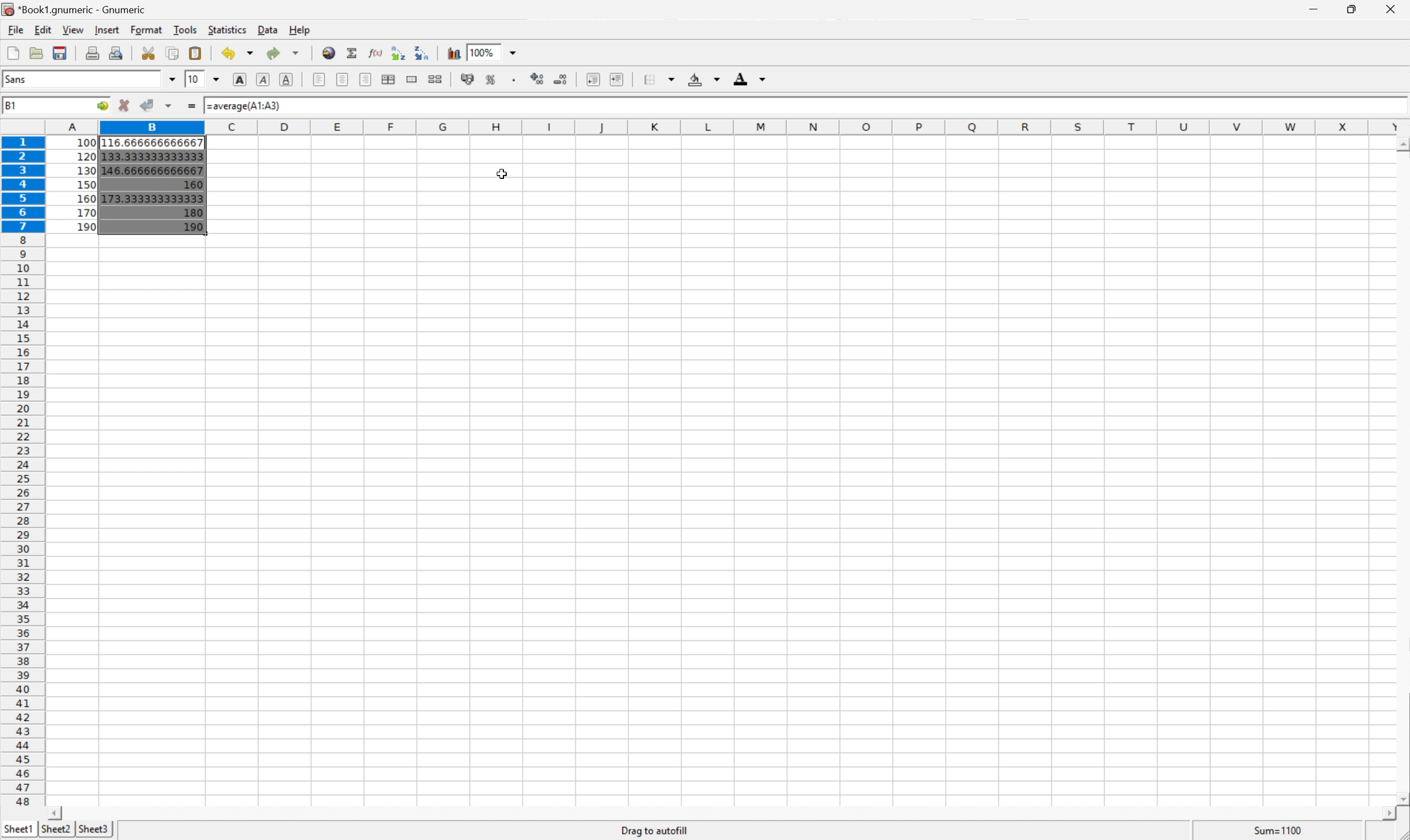 The height and width of the screenshot is (840, 1410). Describe the element at coordinates (749, 79) in the screenshot. I see `Foreground` at that location.